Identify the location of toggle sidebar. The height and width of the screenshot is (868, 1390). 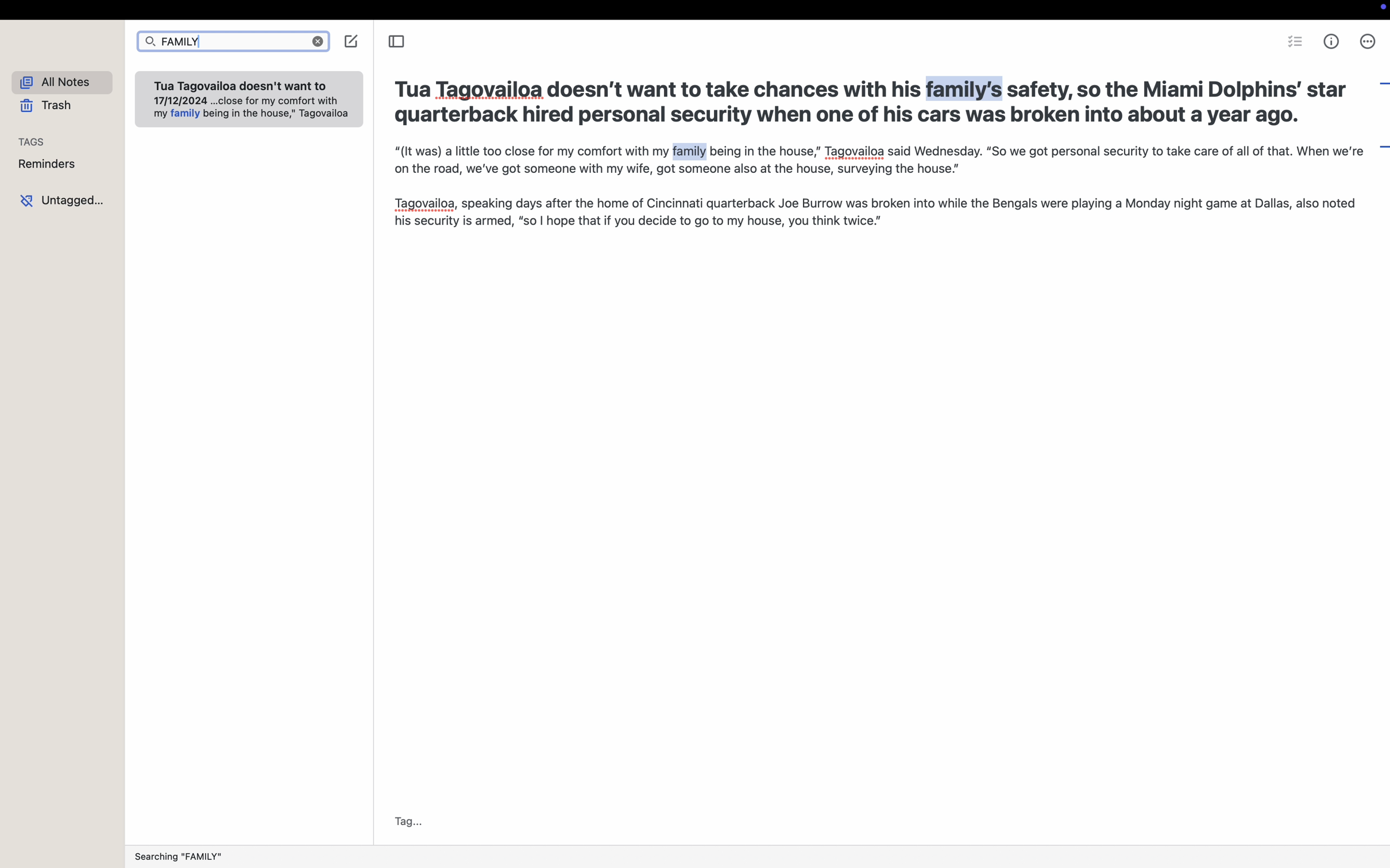
(398, 42).